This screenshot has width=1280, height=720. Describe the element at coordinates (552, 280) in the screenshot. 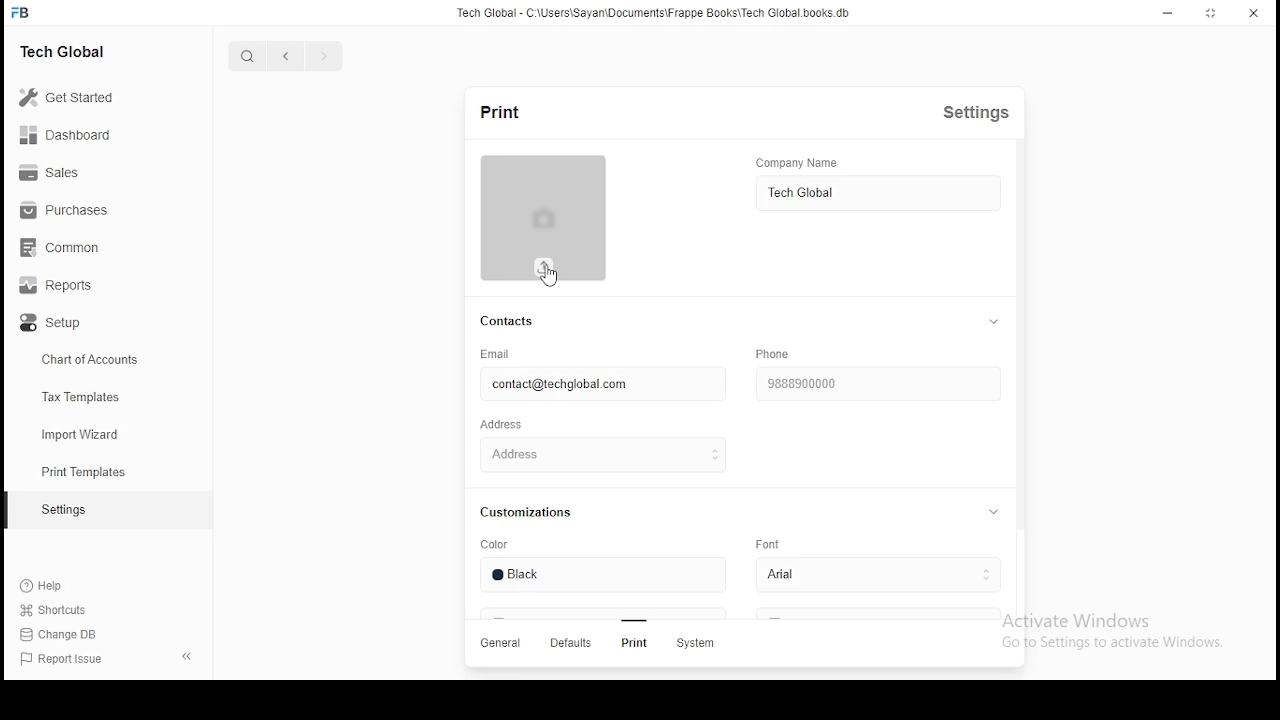

I see `cursor` at that location.